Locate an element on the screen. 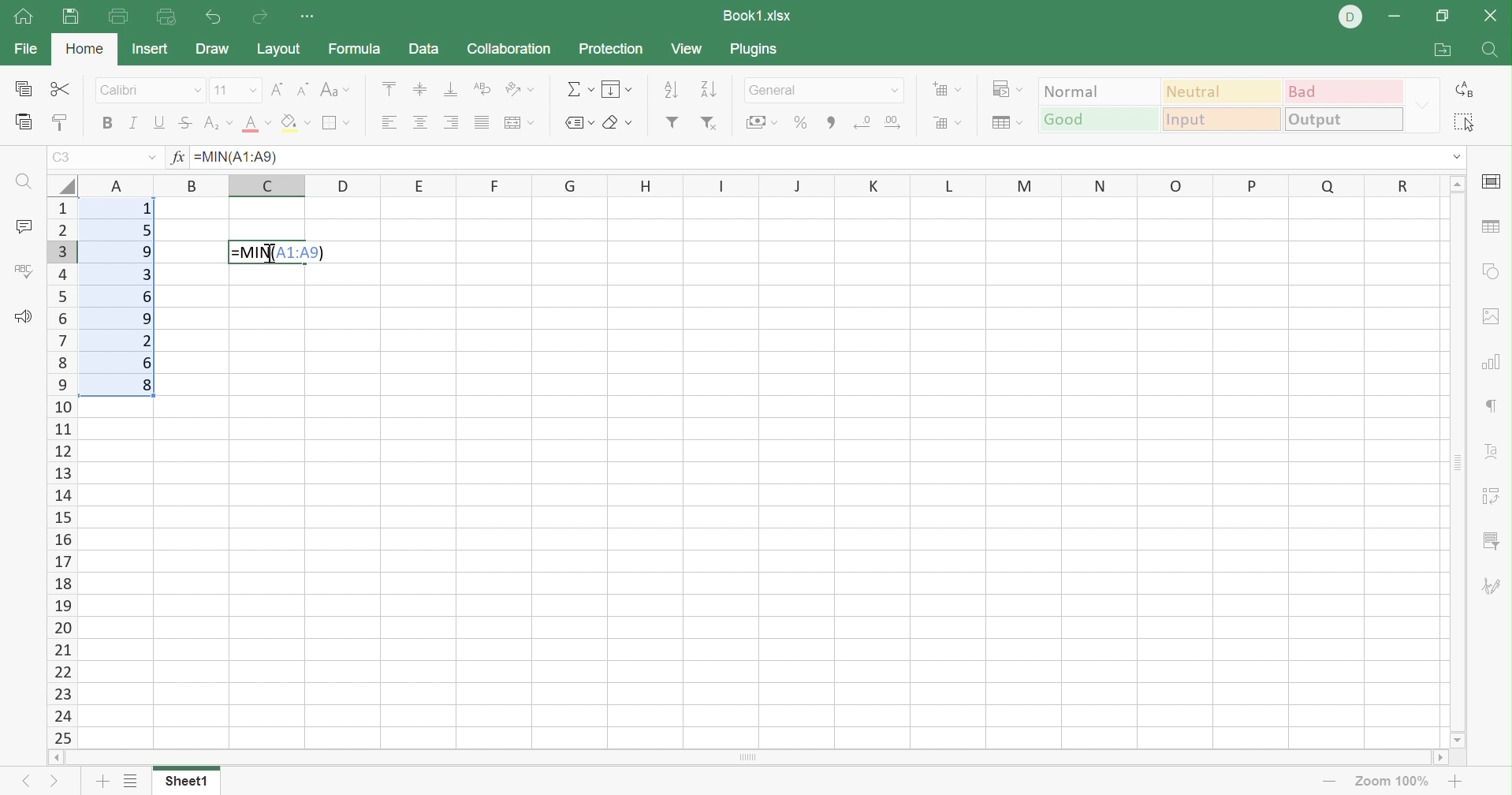  Zoom in is located at coordinates (1323, 780).